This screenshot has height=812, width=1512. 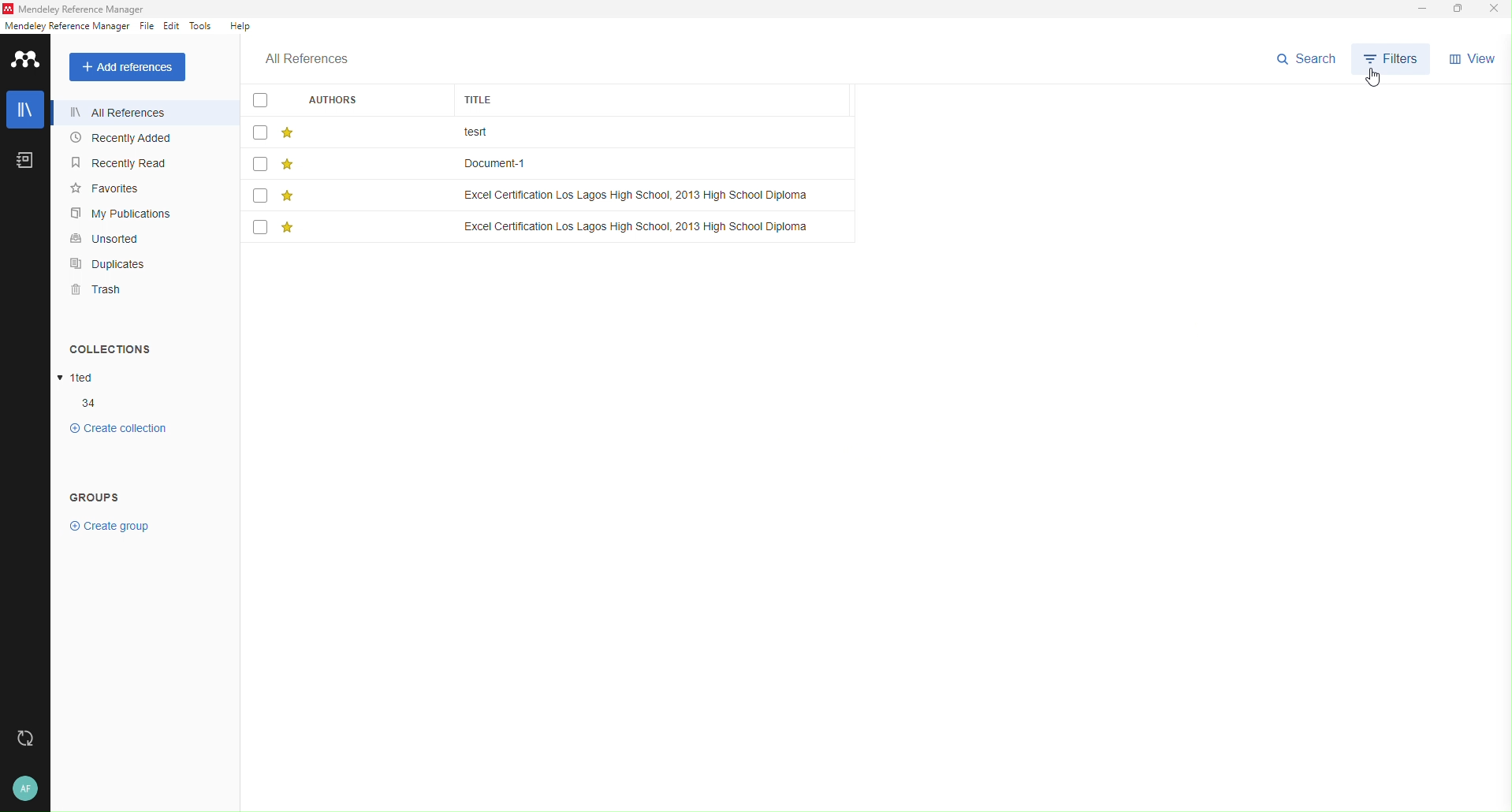 What do you see at coordinates (1421, 9) in the screenshot?
I see `Minimize` at bounding box center [1421, 9].